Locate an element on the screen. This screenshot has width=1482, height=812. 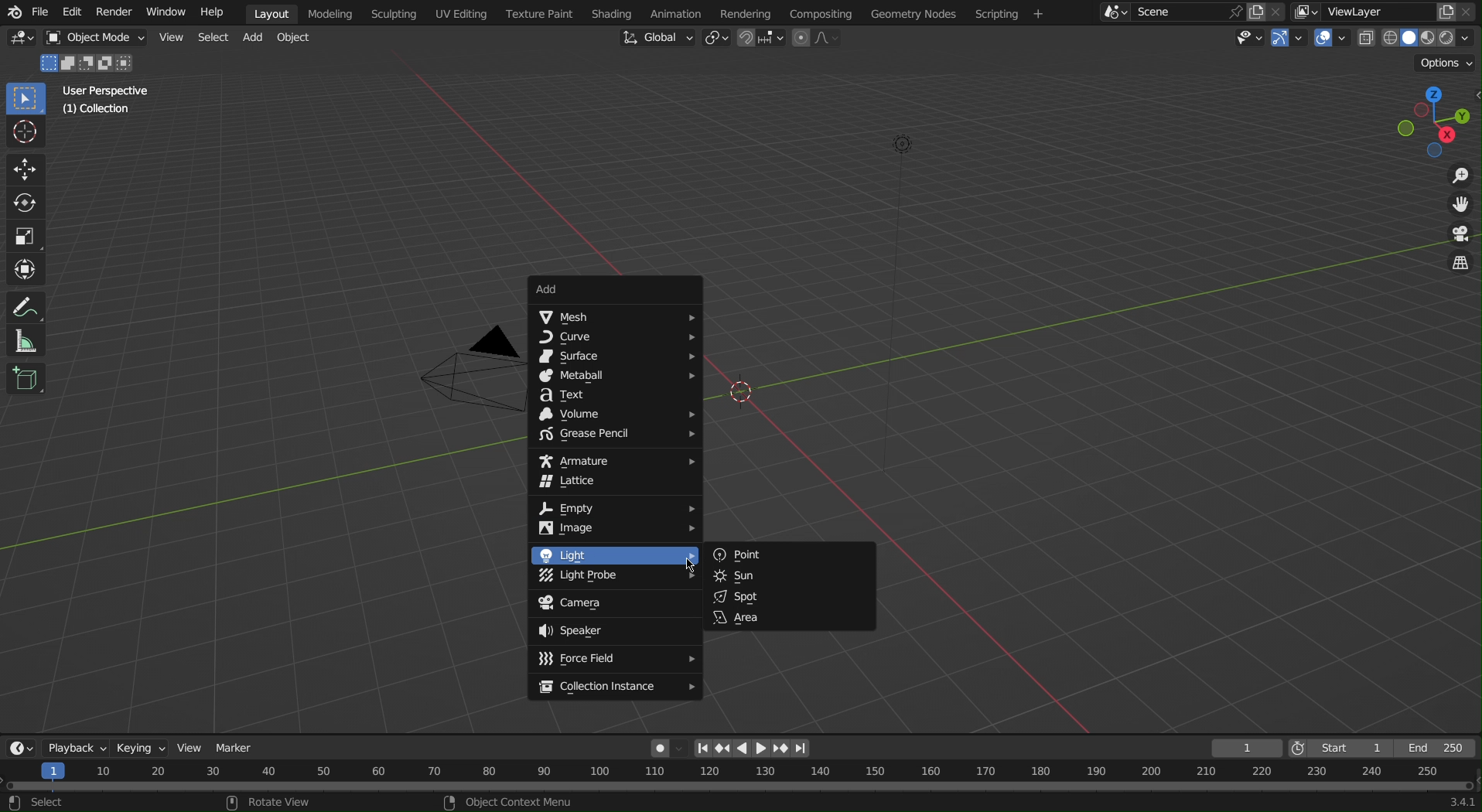
copy is located at coordinates (1255, 12).